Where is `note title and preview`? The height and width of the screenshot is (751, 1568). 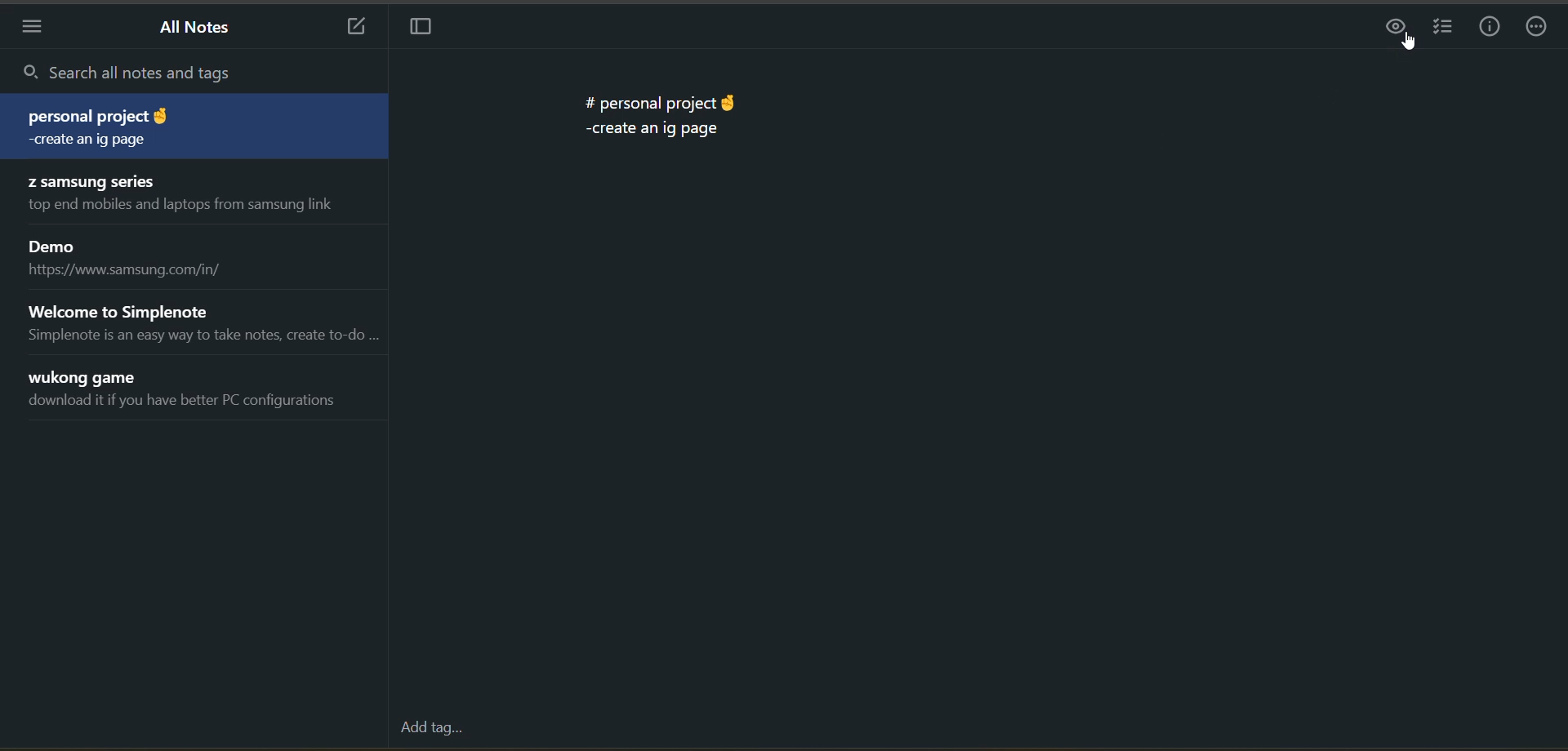
note title and preview is located at coordinates (189, 195).